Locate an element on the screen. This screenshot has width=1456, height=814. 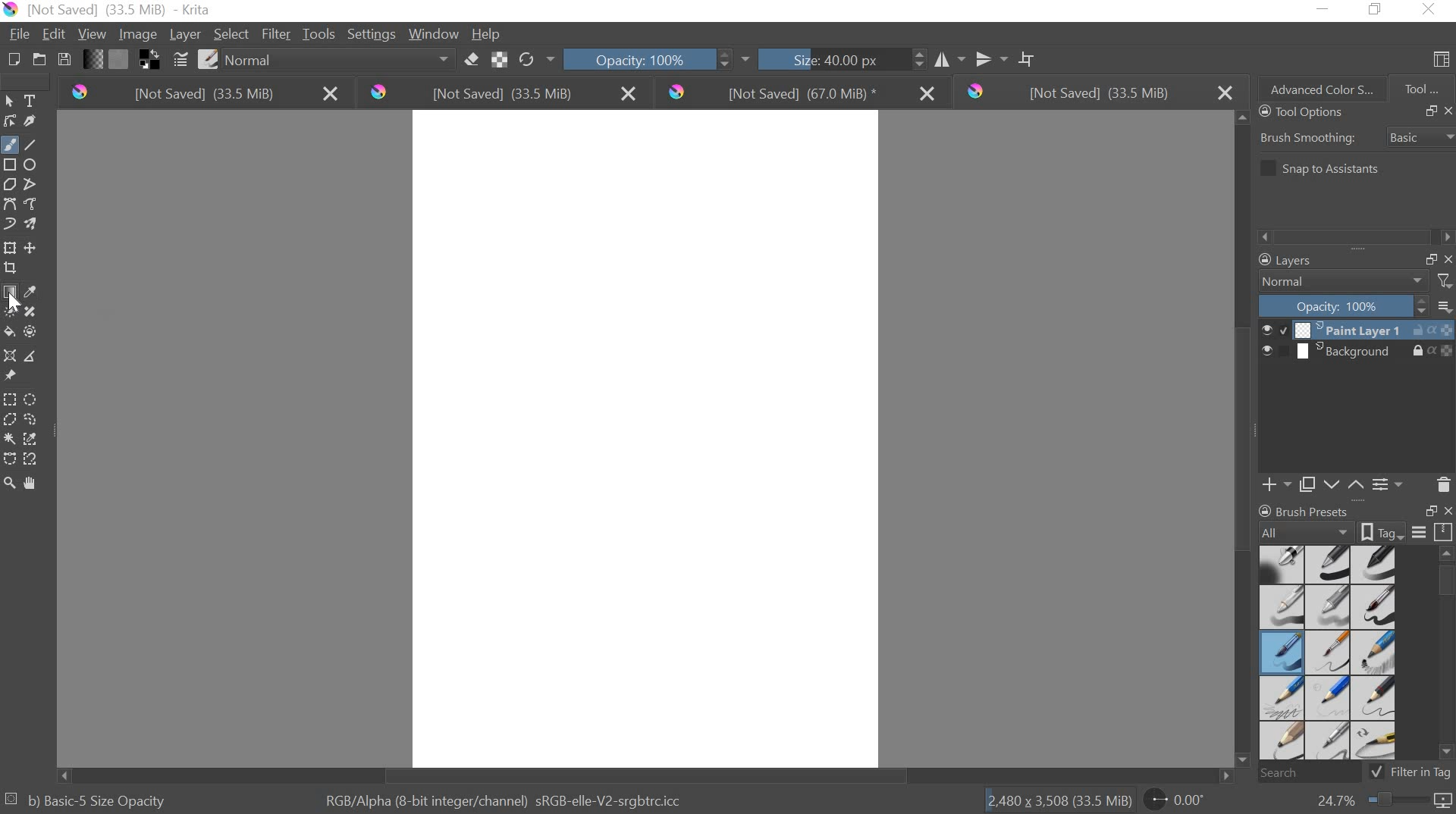
text is located at coordinates (33, 101).